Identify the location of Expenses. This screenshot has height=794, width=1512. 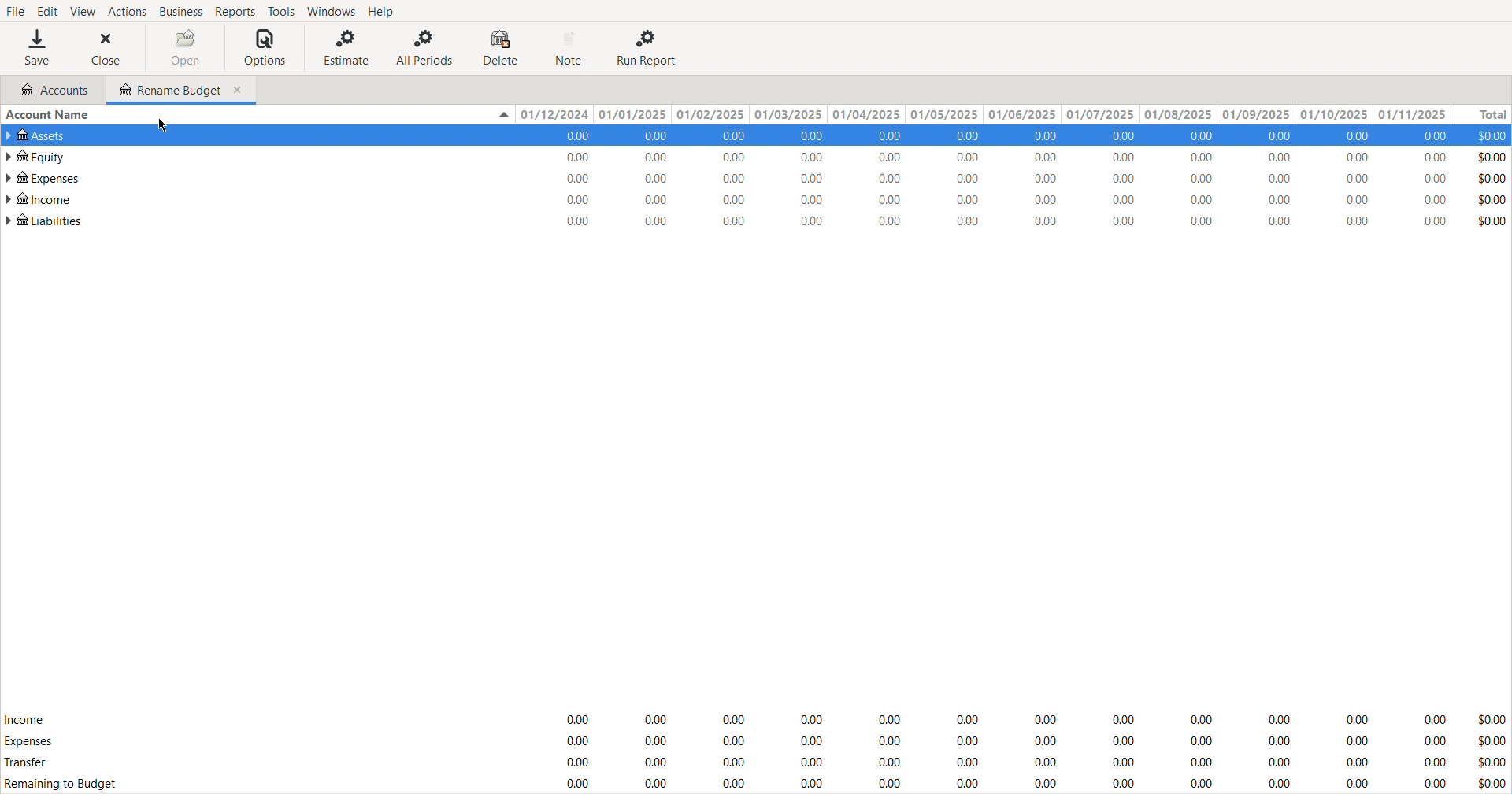
(28, 740).